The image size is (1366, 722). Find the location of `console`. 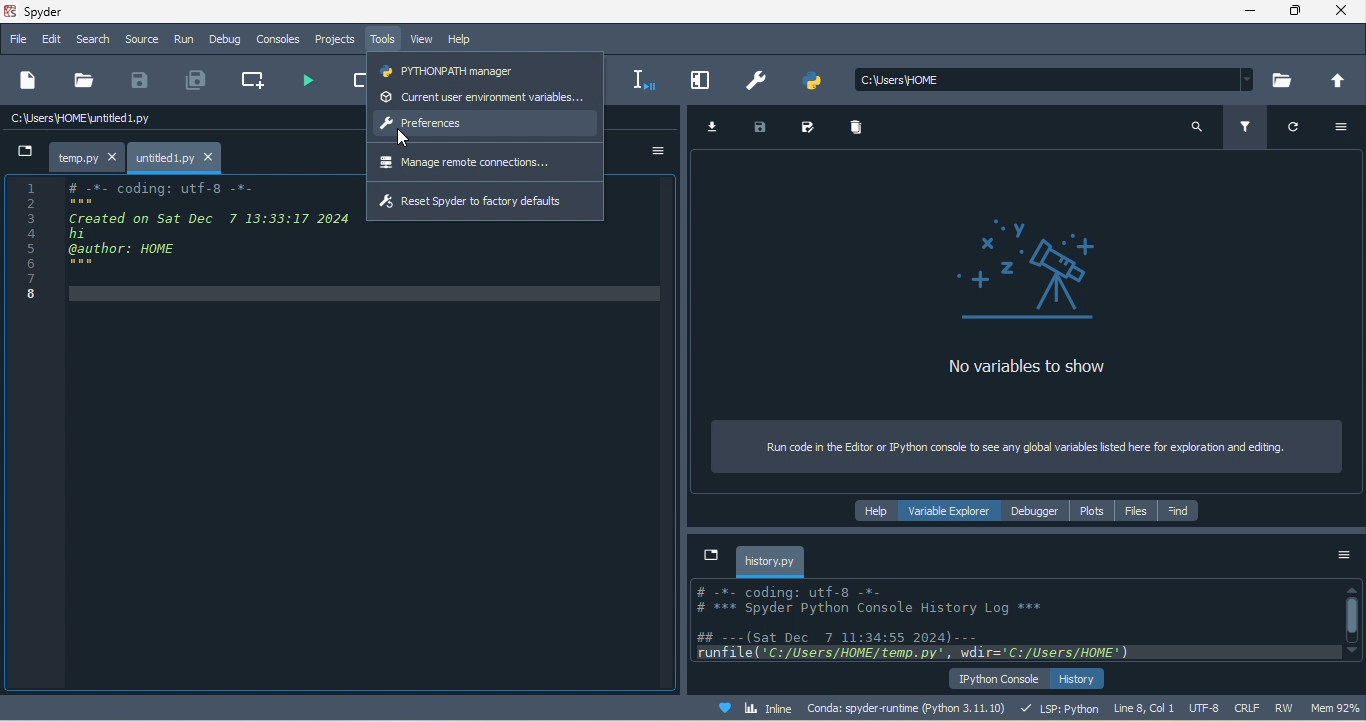

console is located at coordinates (280, 39).